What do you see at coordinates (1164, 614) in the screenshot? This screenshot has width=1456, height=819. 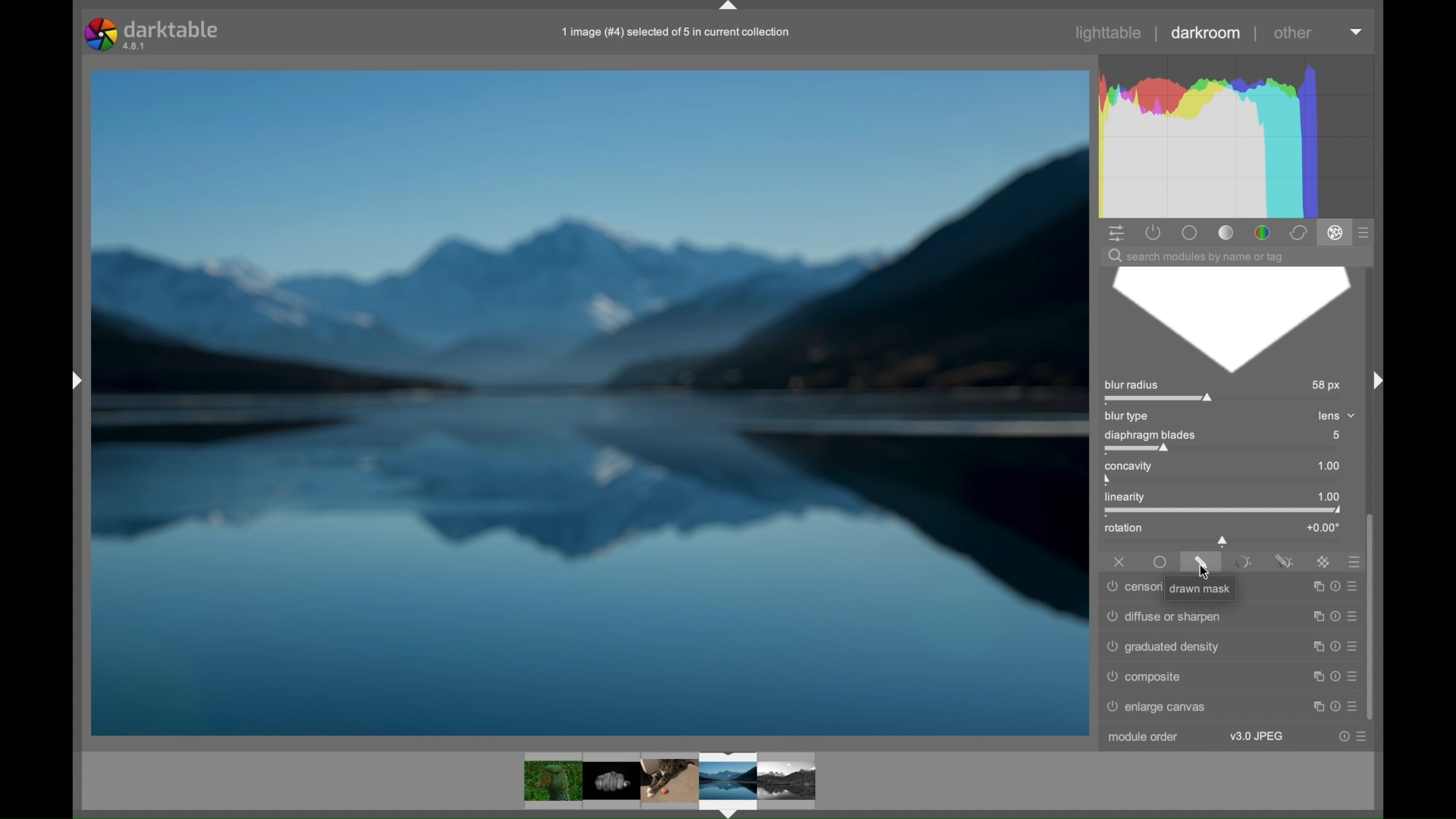 I see `diffuse or sharpen` at bounding box center [1164, 614].